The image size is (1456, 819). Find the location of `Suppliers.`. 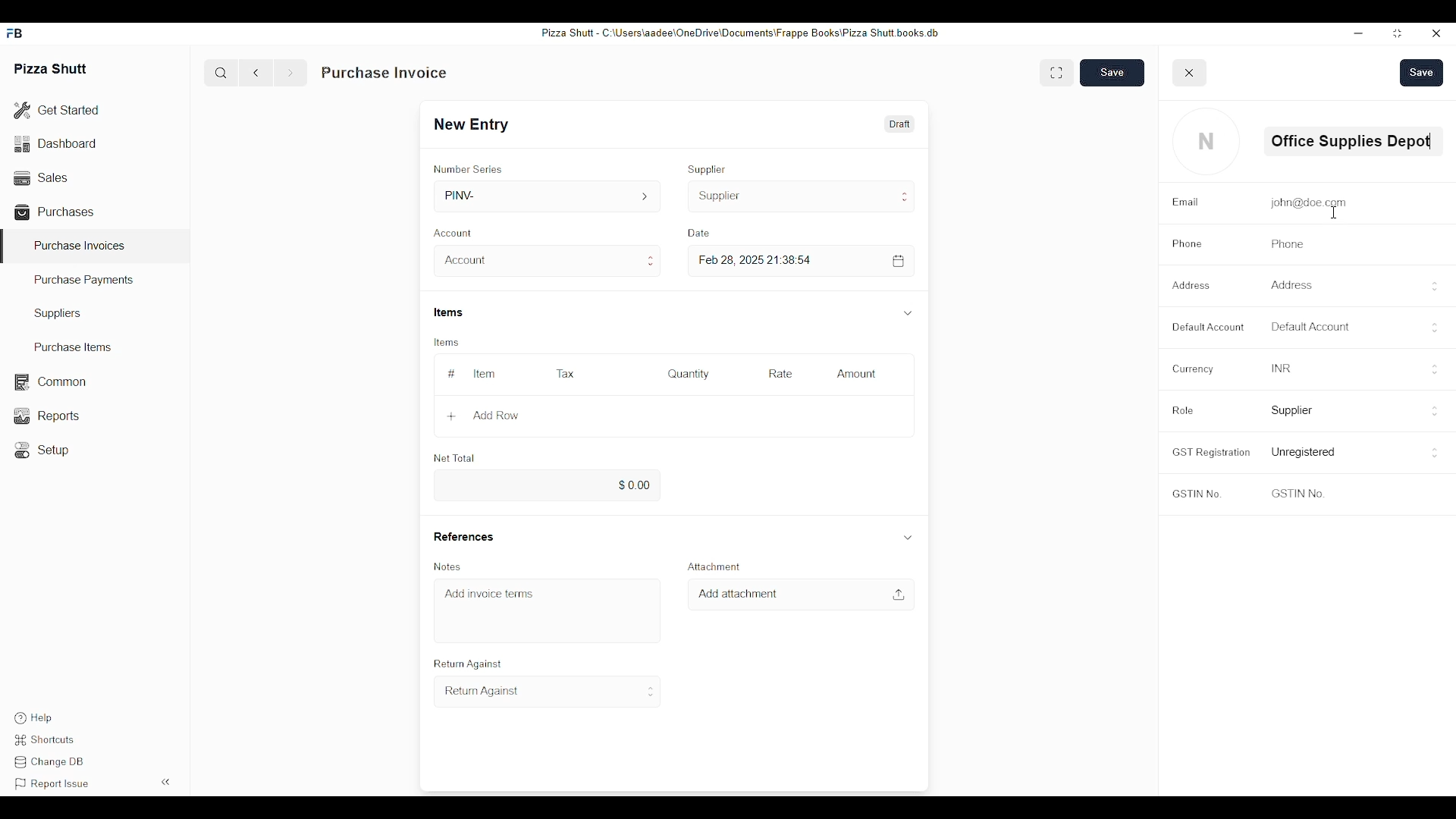

Suppliers. is located at coordinates (61, 313).